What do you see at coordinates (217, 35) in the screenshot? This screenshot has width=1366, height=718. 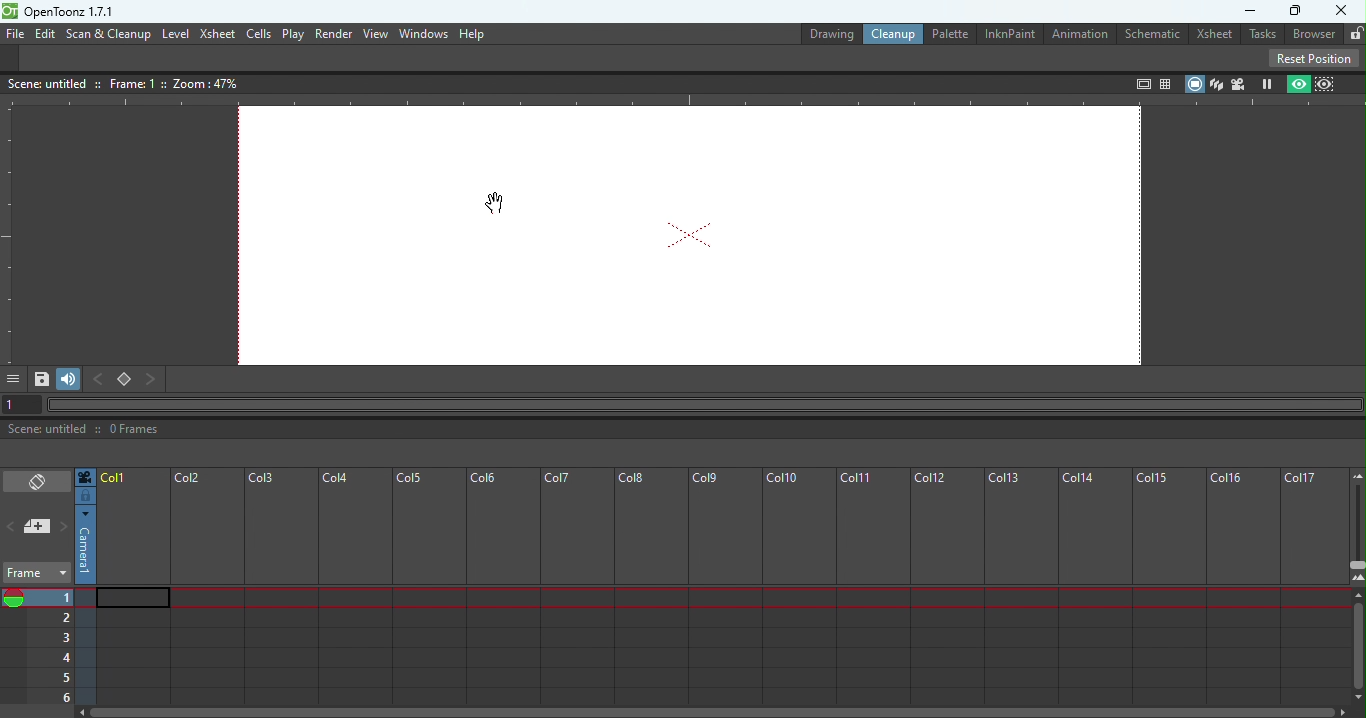 I see `Xsheet` at bounding box center [217, 35].